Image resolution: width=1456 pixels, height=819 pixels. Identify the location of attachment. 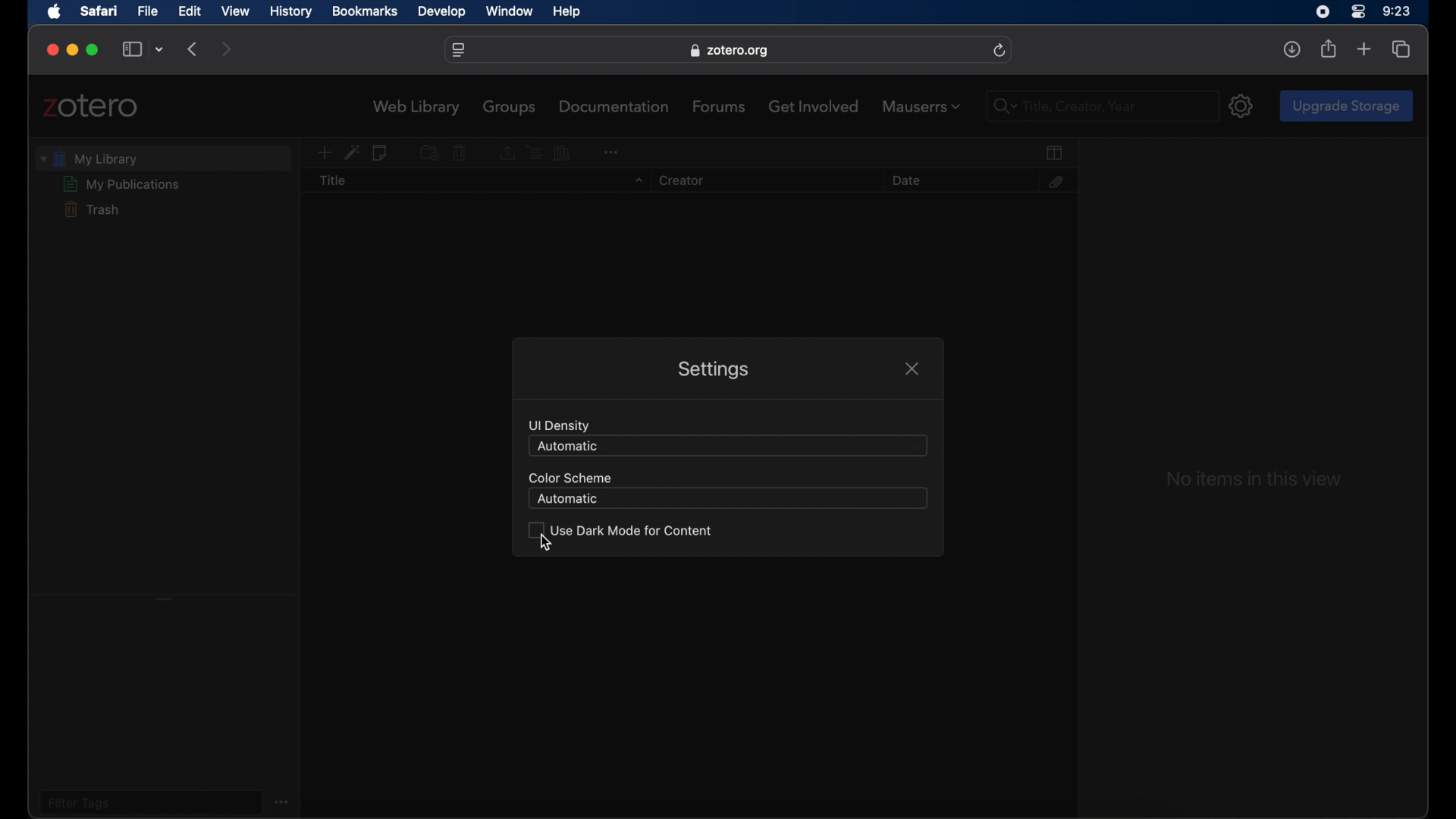
(1055, 182).